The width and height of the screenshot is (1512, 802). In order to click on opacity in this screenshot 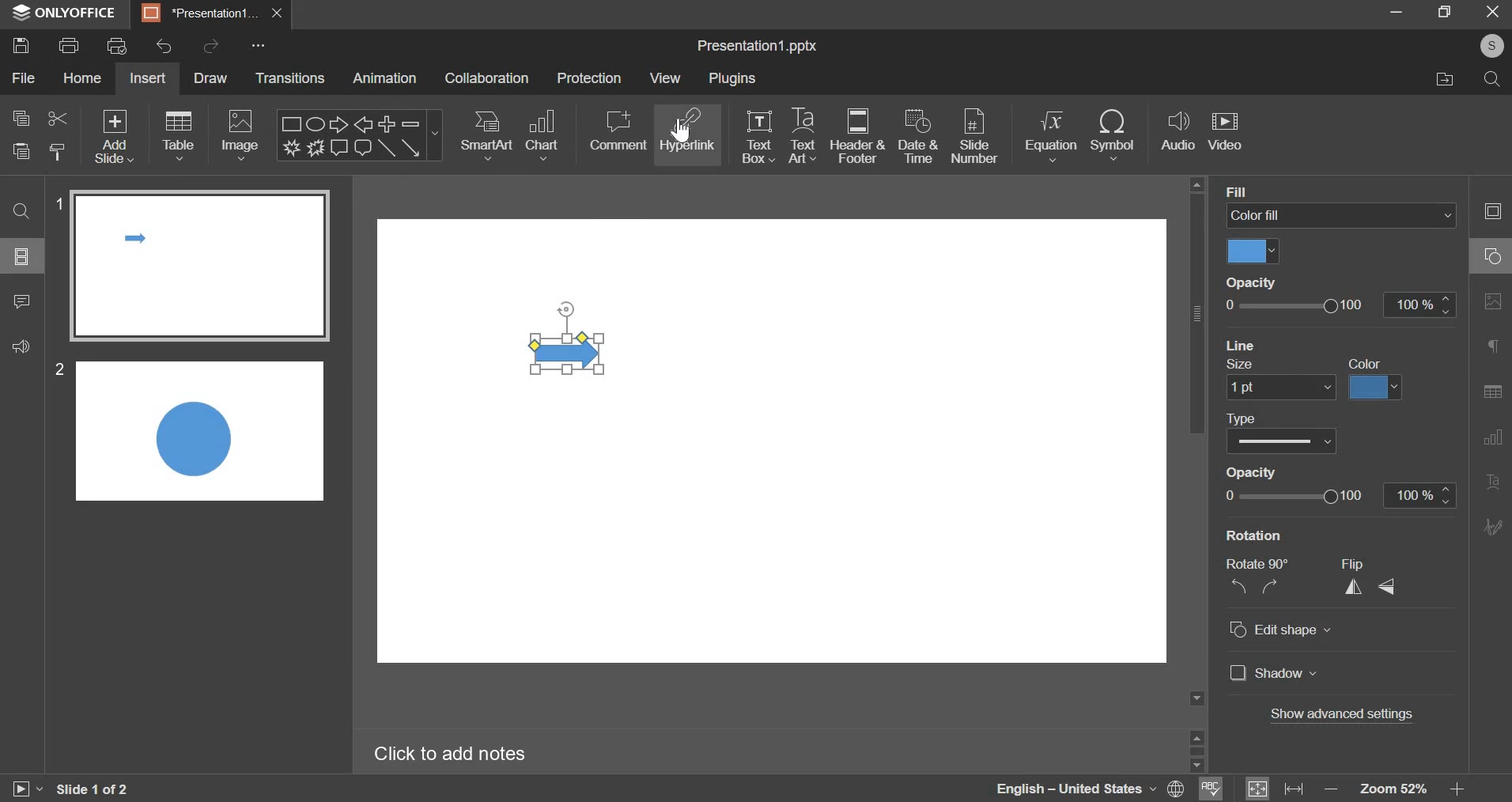, I will do `click(1258, 282)`.